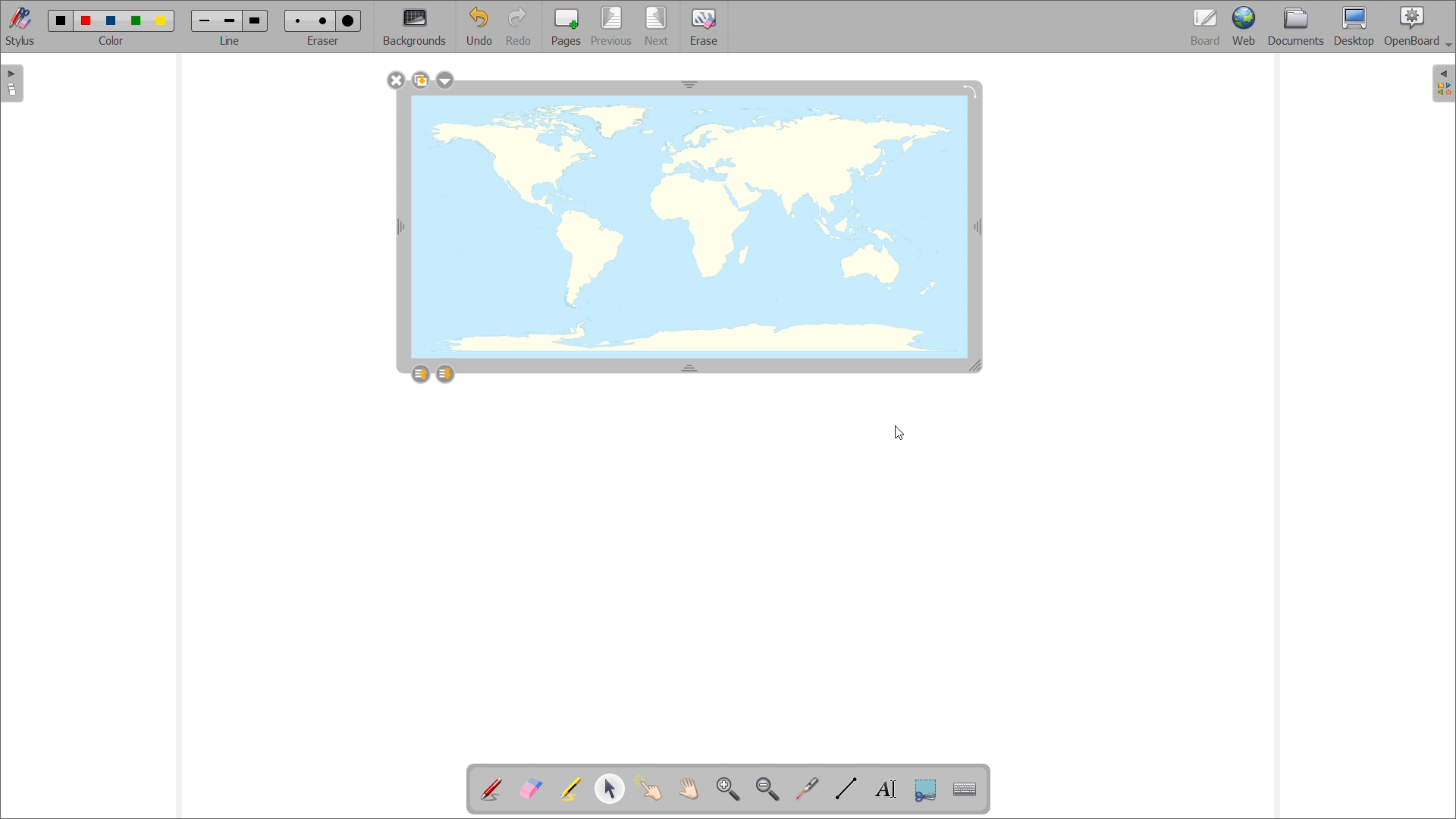  Describe the element at coordinates (898, 434) in the screenshot. I see `cursor` at that location.